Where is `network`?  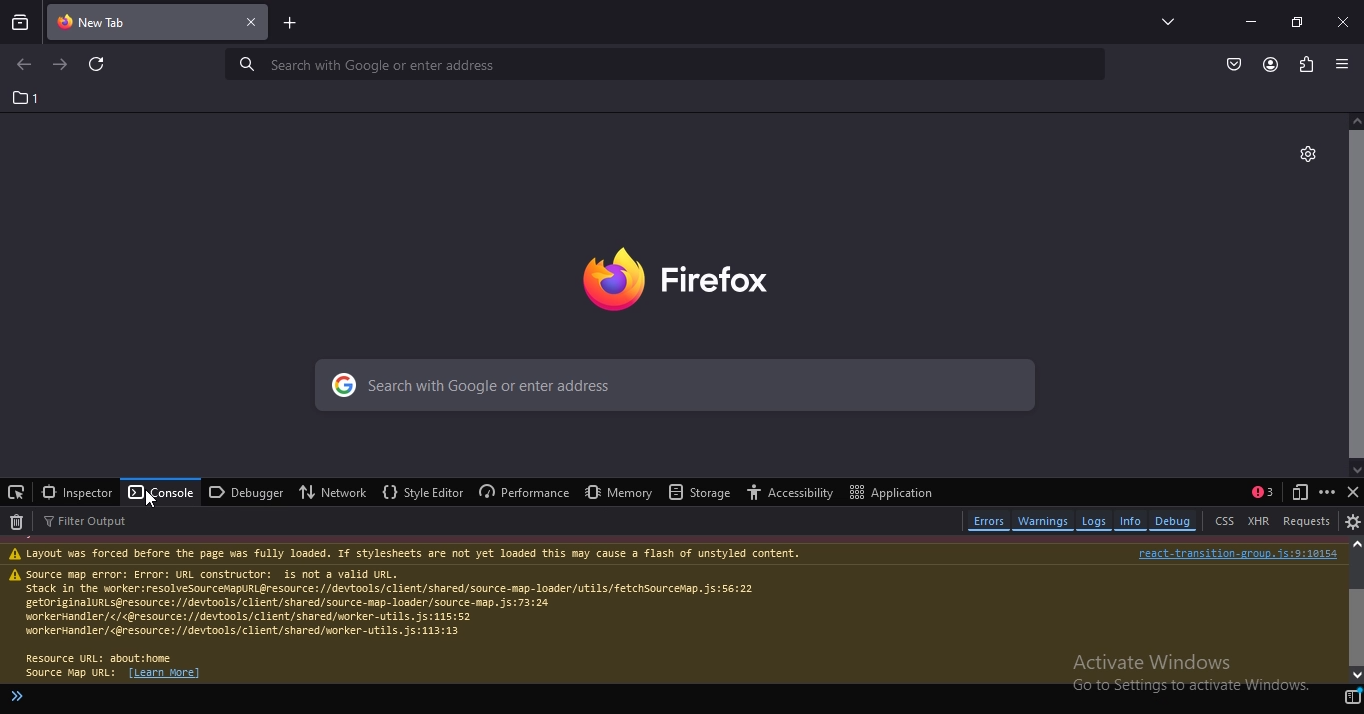 network is located at coordinates (329, 493).